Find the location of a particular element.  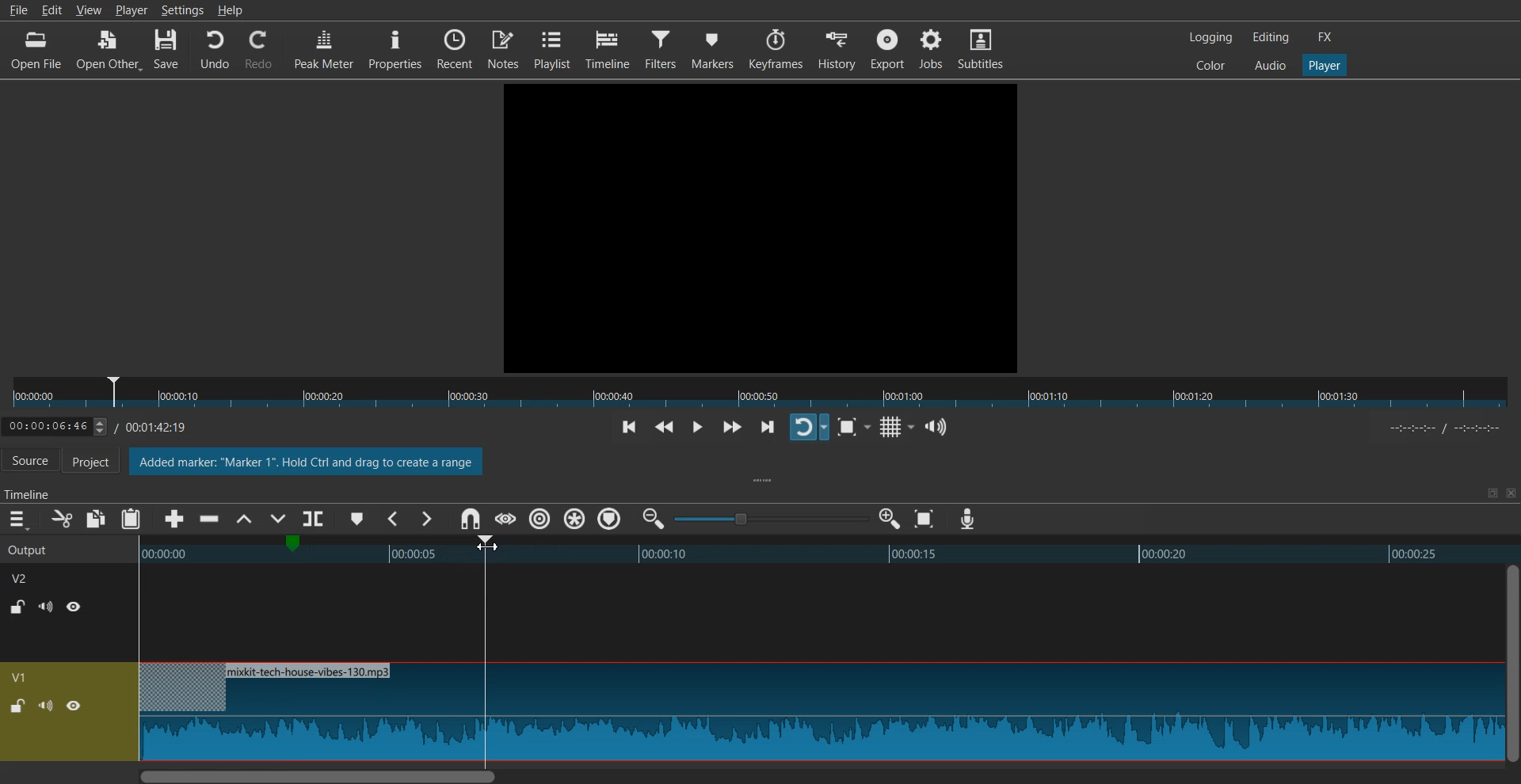

Lift is located at coordinates (243, 519).